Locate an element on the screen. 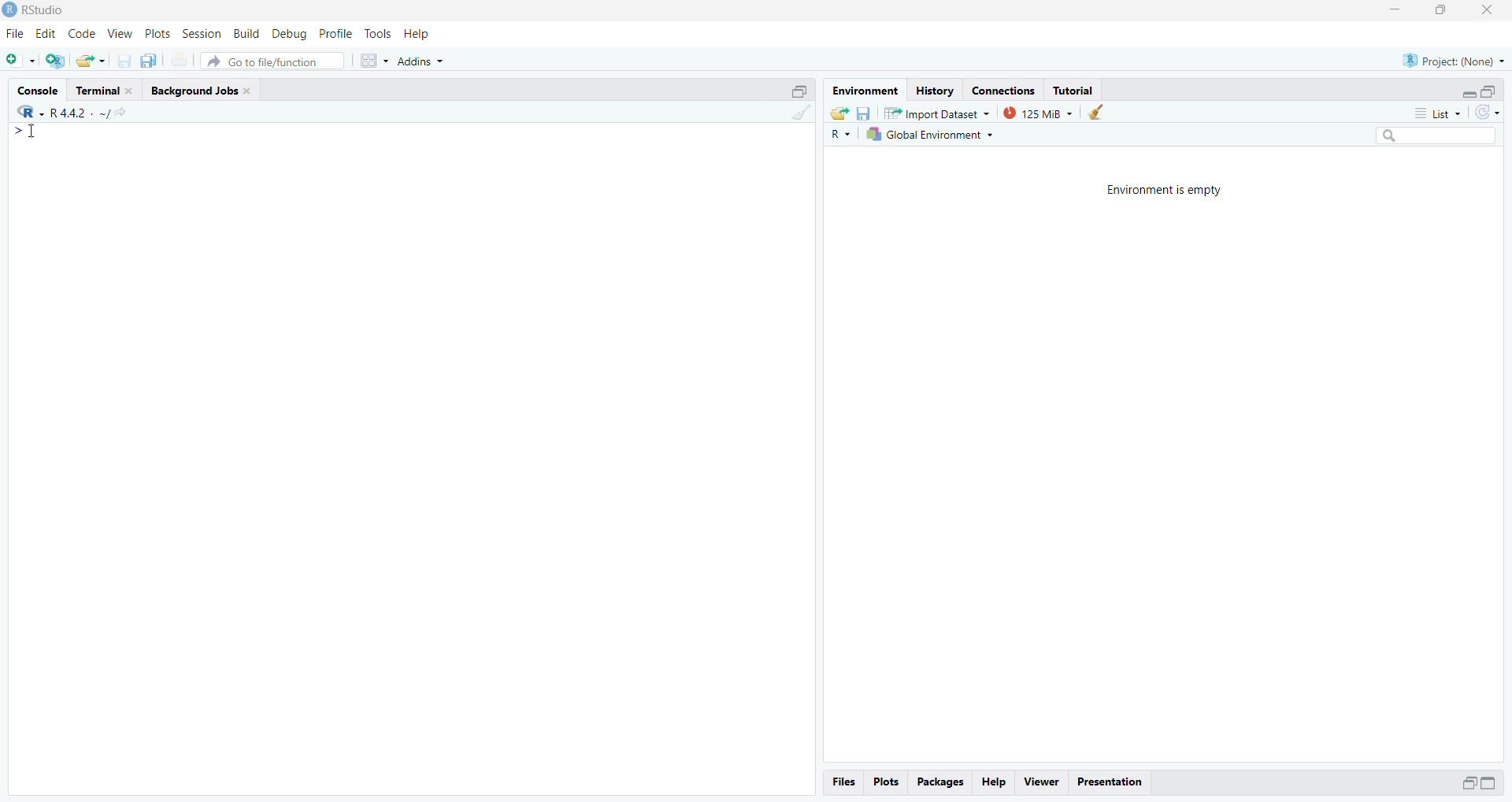  search is located at coordinates (1436, 136).